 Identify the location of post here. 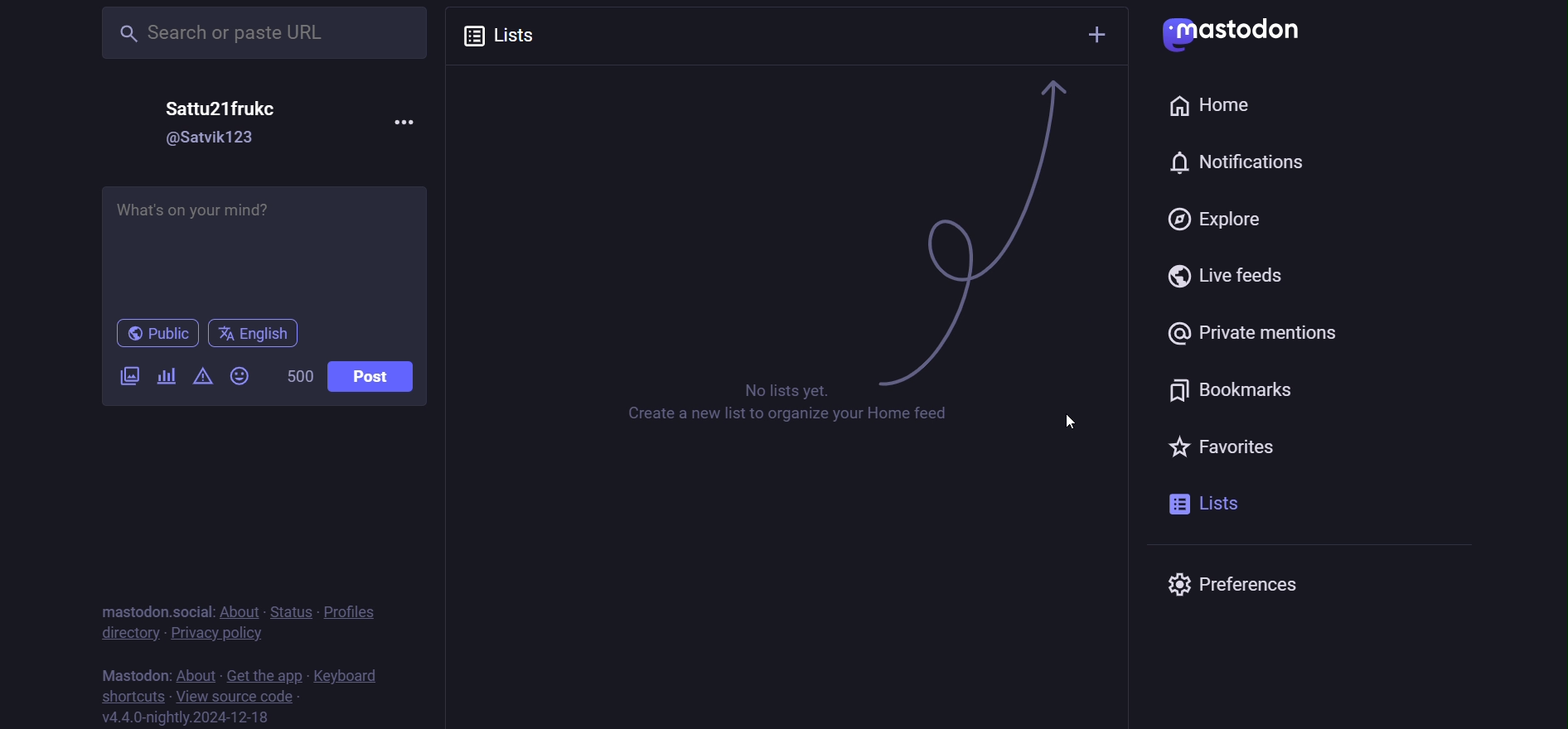
(267, 246).